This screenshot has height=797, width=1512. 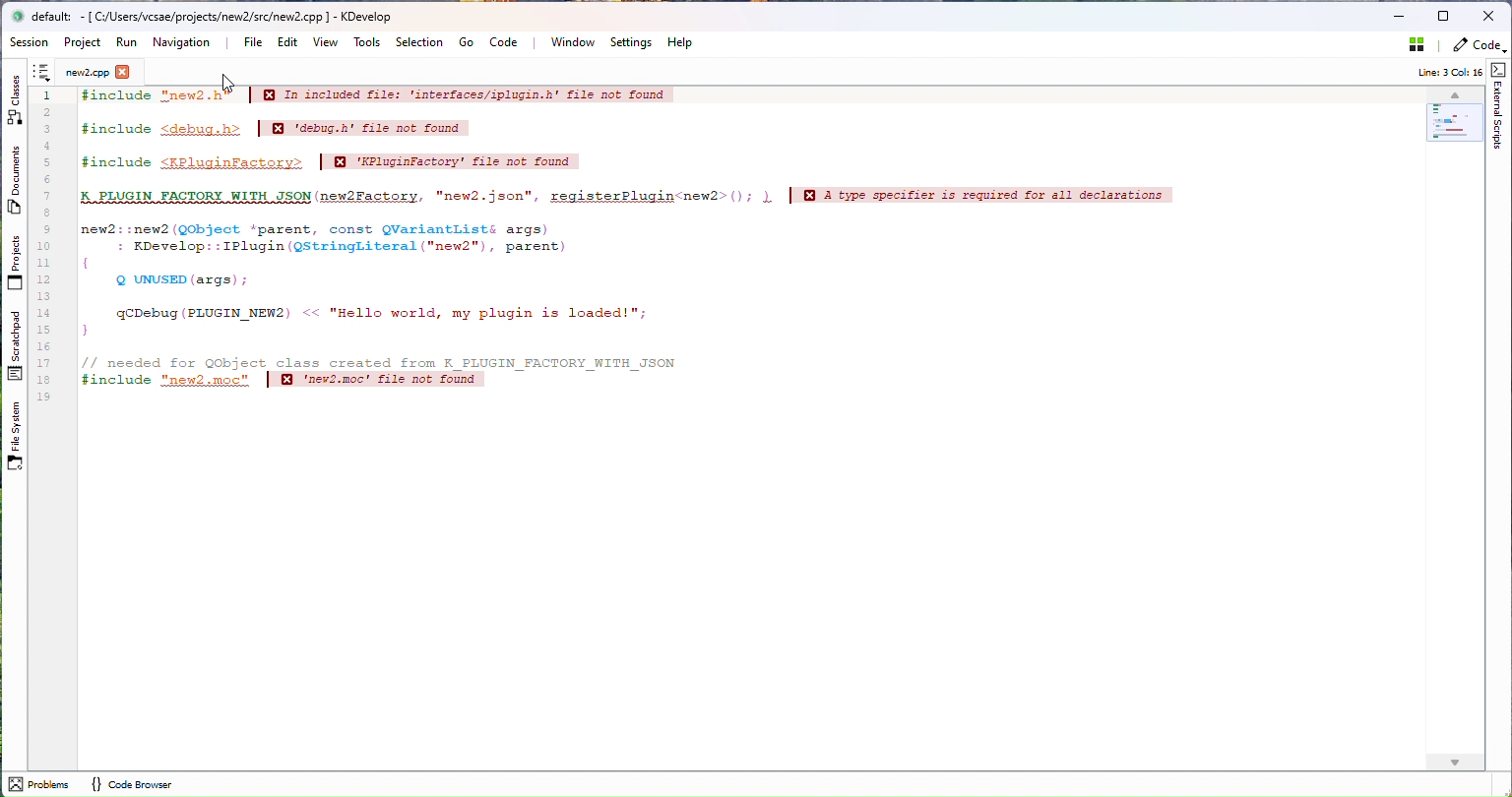 I want to click on Go, so click(x=466, y=43).